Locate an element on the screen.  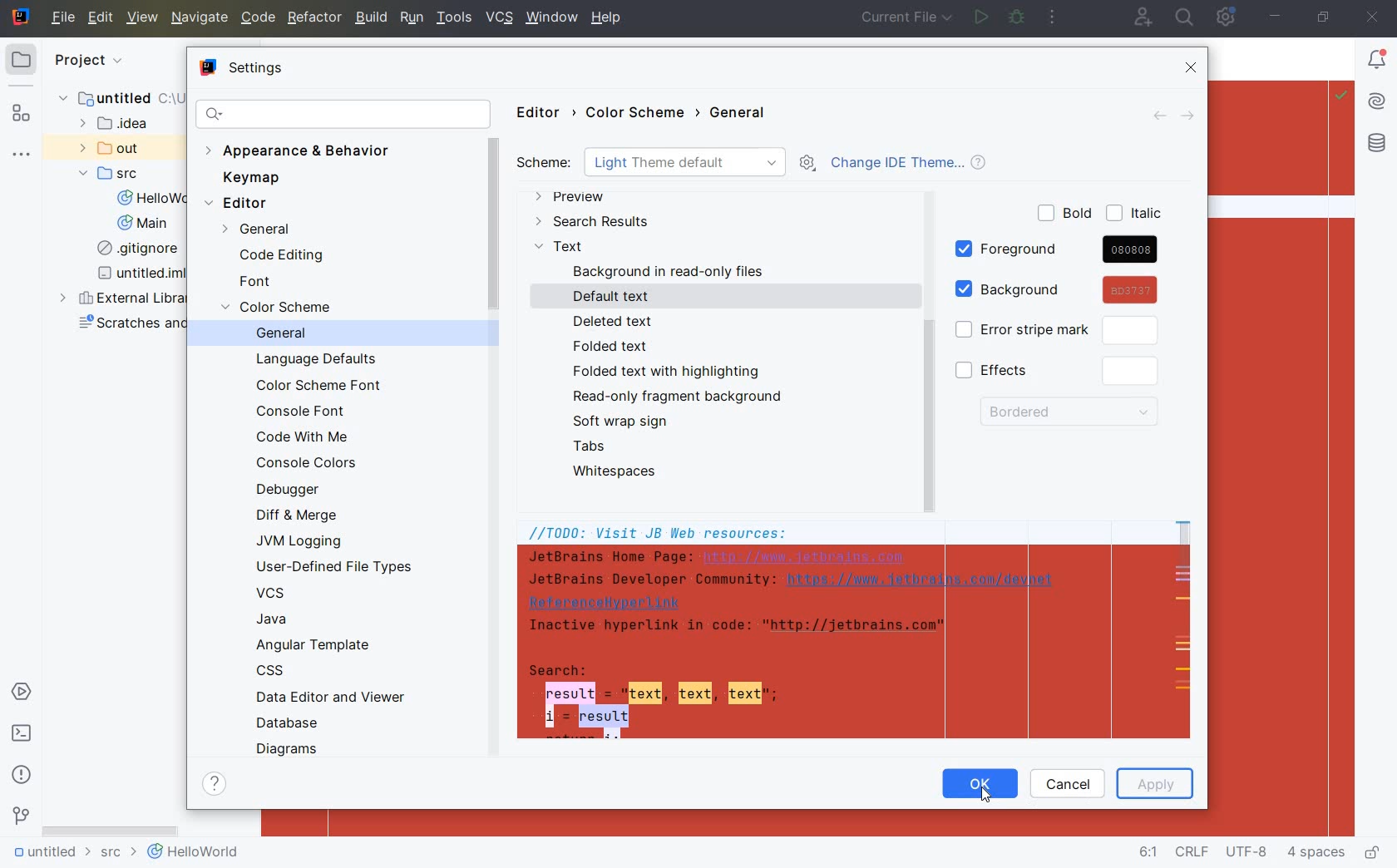
TOOLS is located at coordinates (455, 18).